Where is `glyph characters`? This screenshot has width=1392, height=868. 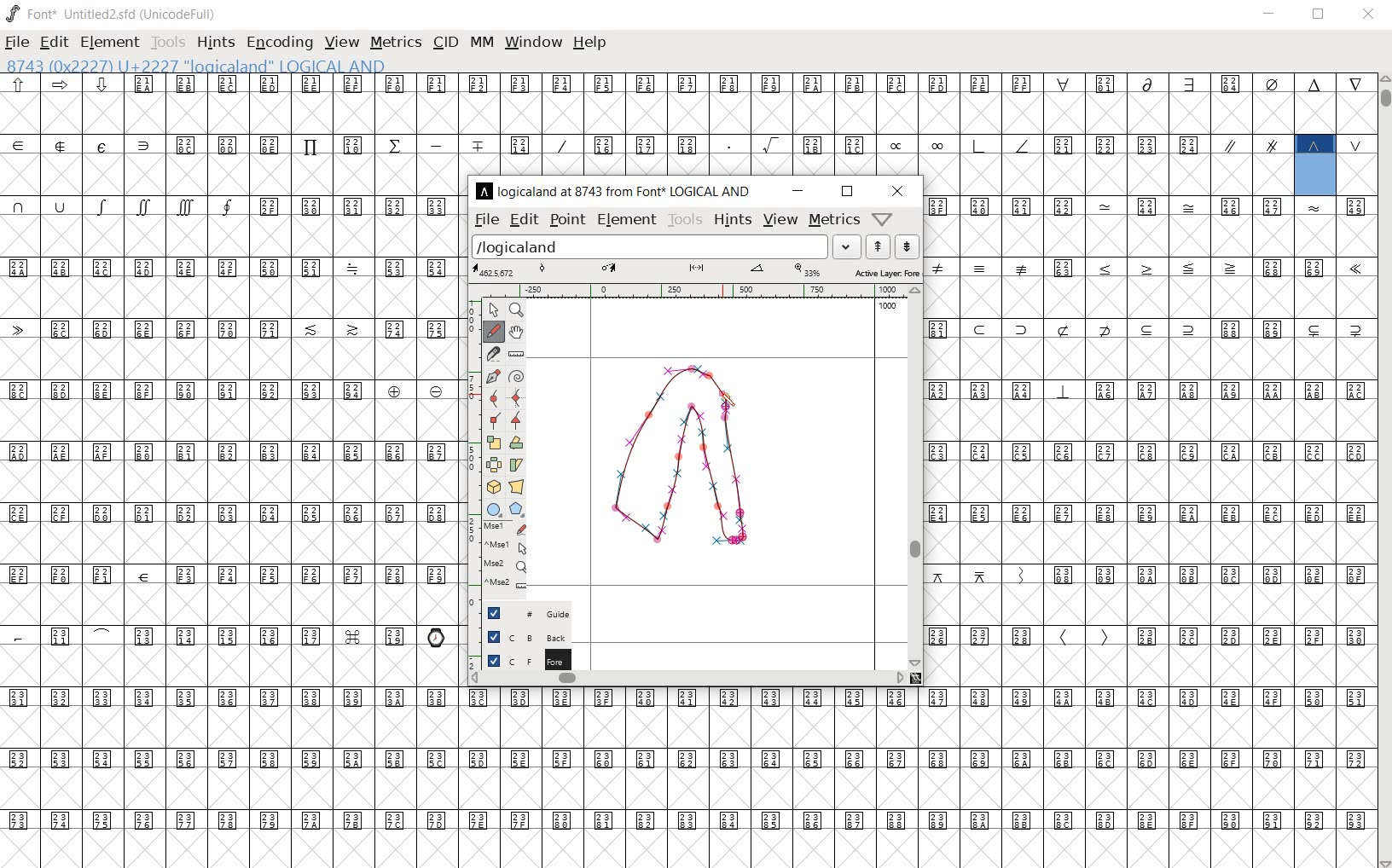 glyph characters is located at coordinates (1150, 440).